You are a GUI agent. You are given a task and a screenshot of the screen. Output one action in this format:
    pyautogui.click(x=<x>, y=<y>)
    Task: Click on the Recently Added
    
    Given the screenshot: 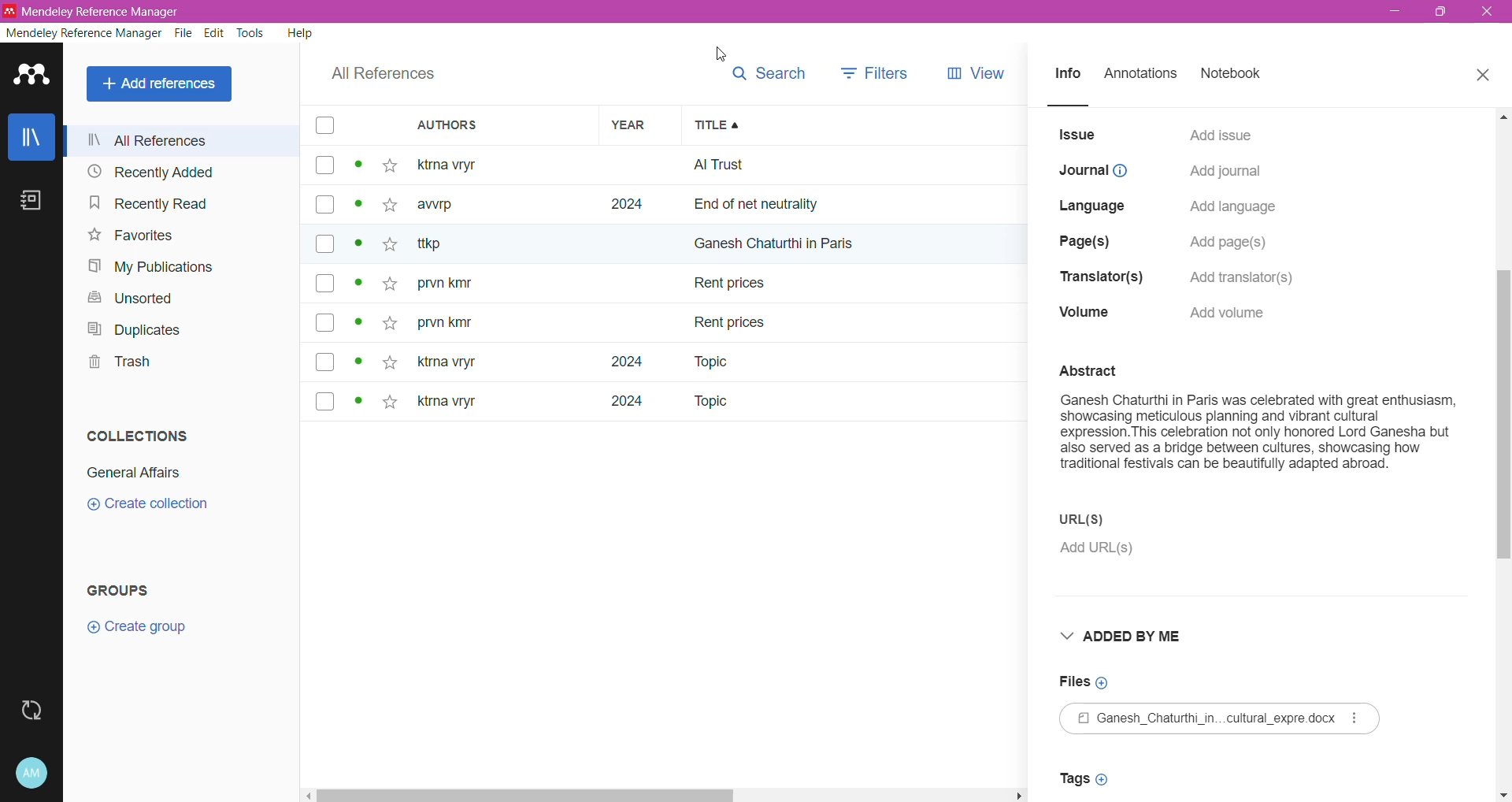 What is the action you would take?
    pyautogui.click(x=152, y=173)
    